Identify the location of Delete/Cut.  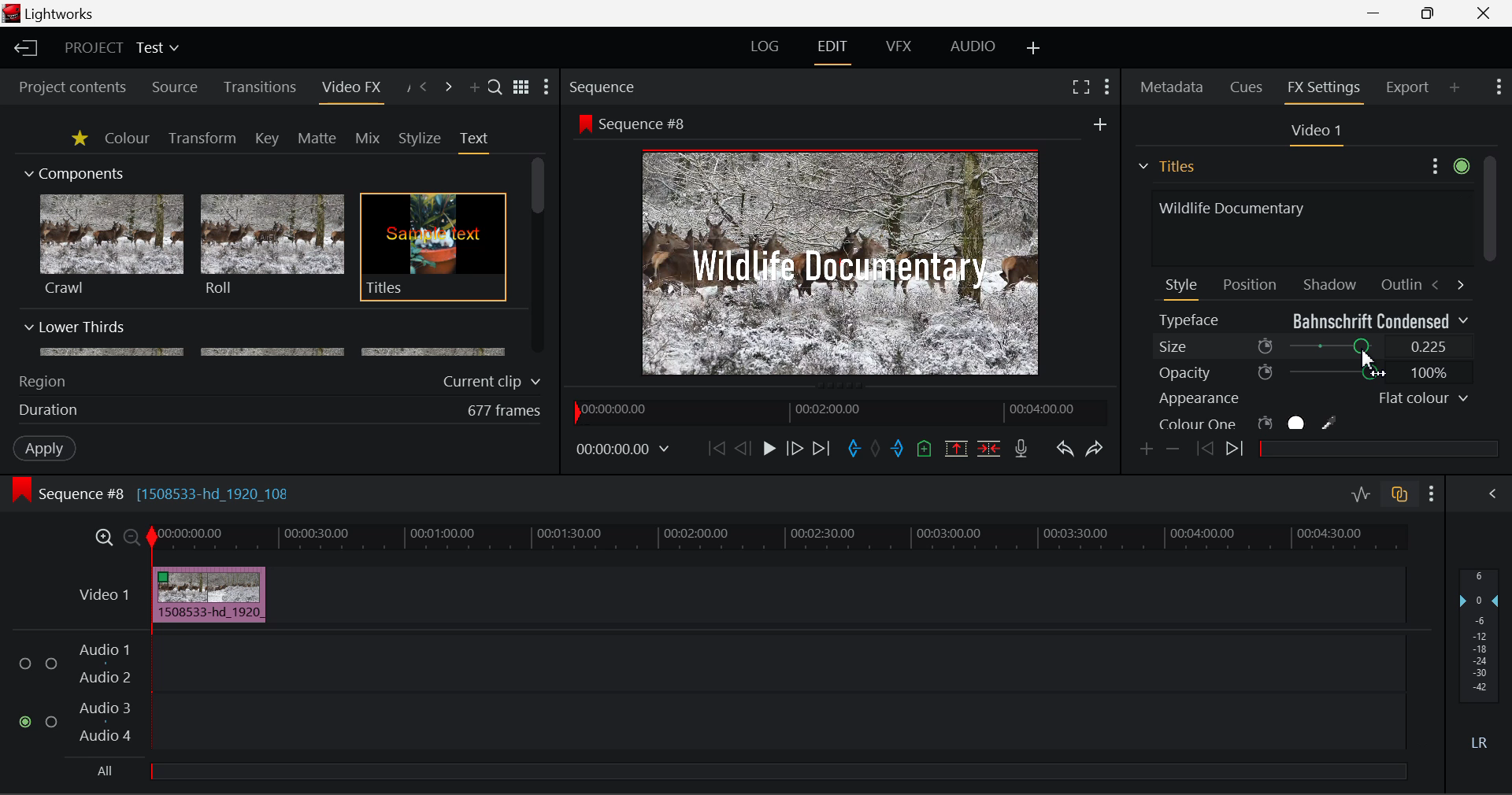
(991, 448).